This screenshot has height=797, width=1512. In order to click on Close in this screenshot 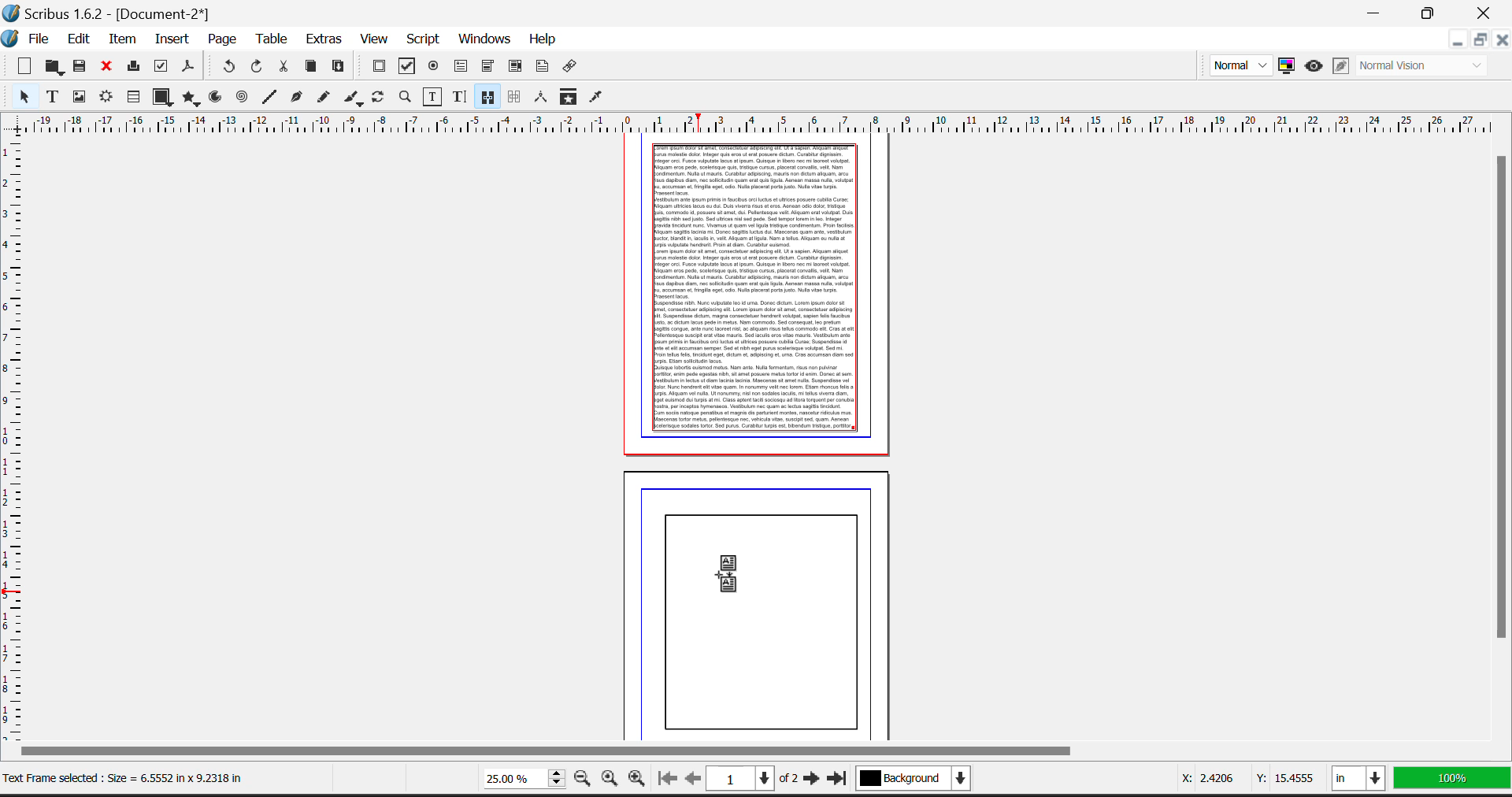, I will do `click(1501, 40)`.